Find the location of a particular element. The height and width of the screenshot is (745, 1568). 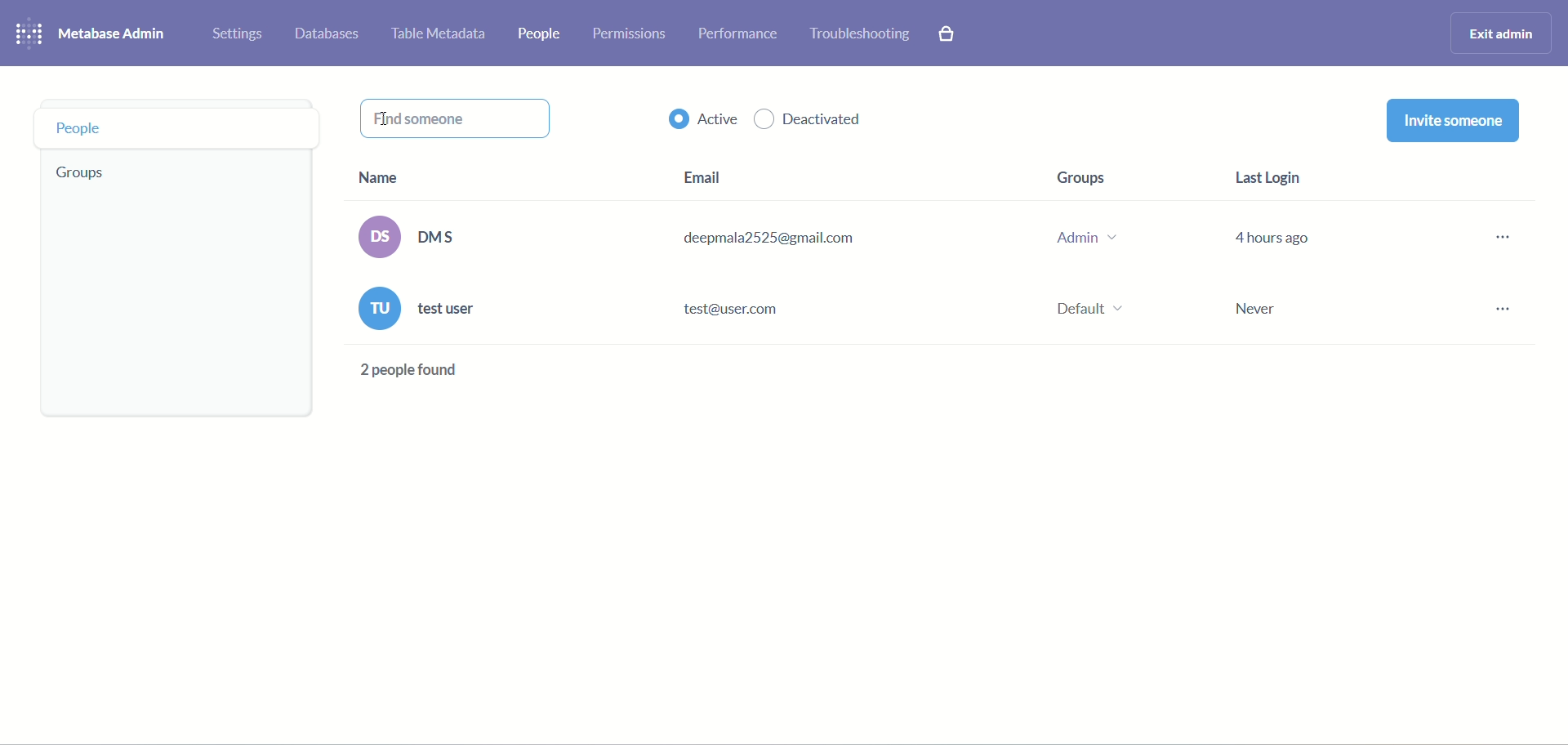

people is located at coordinates (540, 33).